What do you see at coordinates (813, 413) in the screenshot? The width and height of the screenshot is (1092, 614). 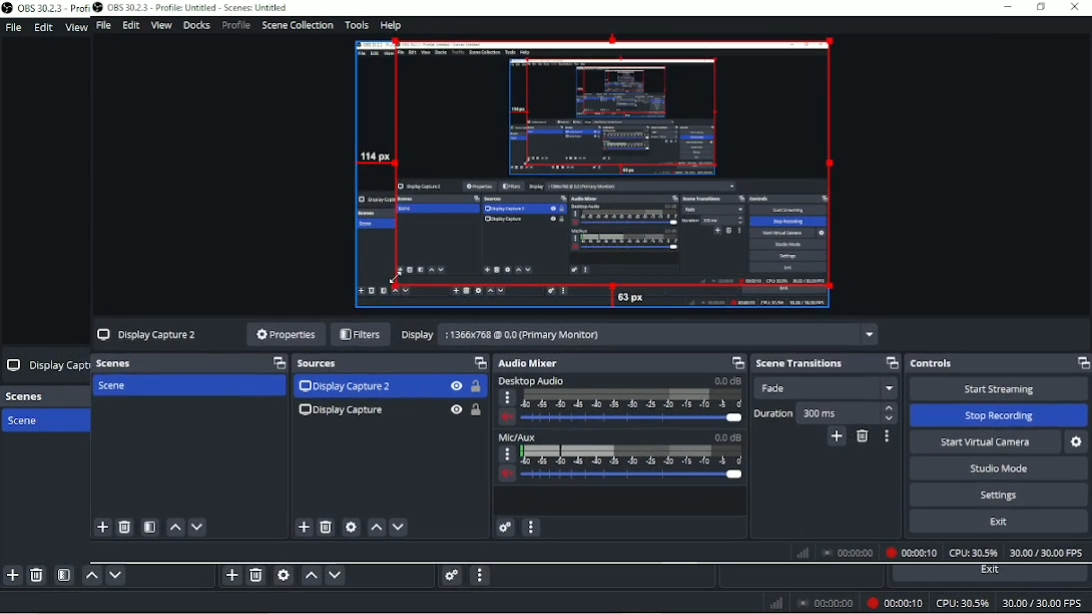 I see `Duration 300 ms` at bounding box center [813, 413].